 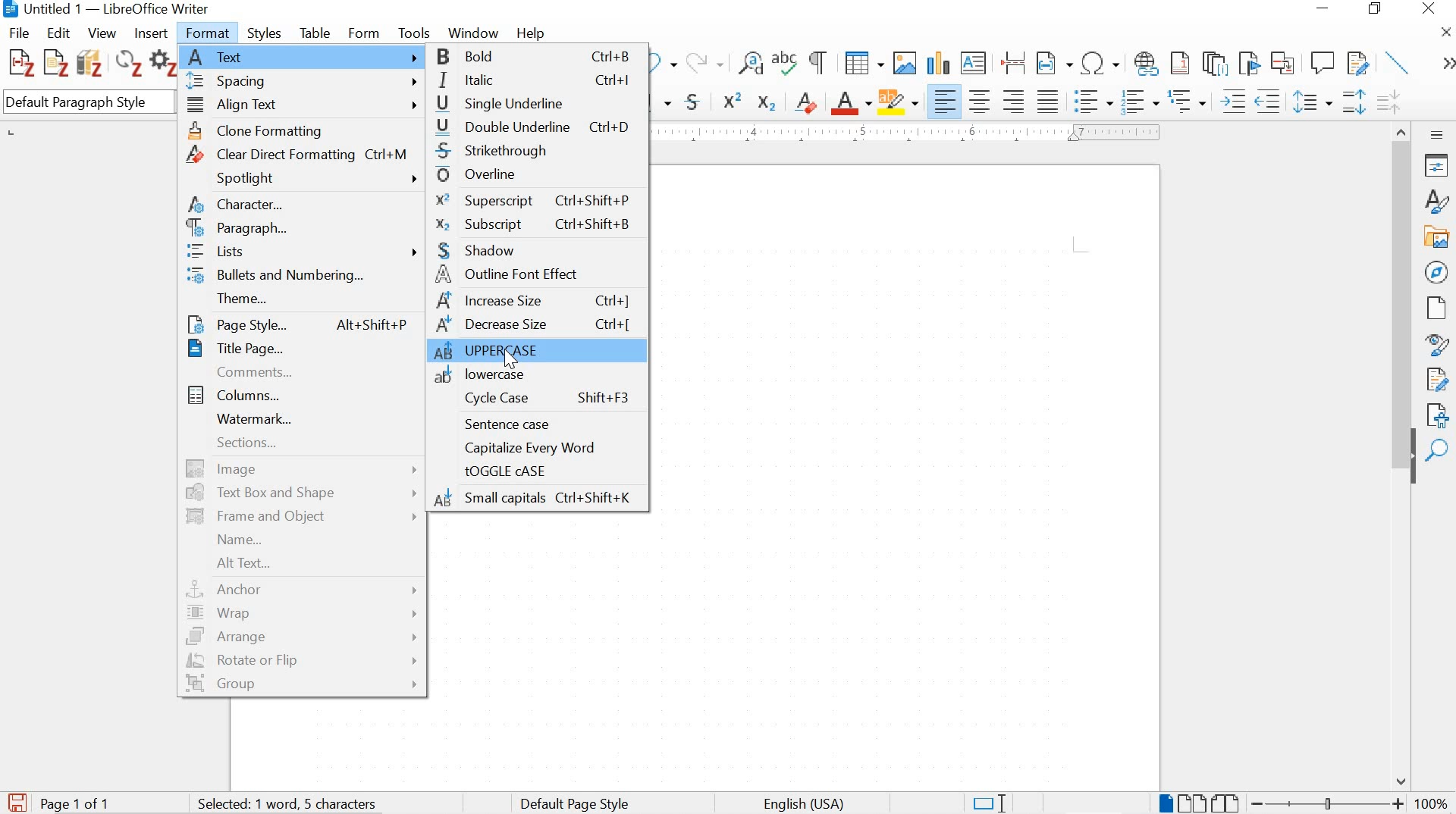 What do you see at coordinates (127, 65) in the screenshot?
I see `refresh` at bounding box center [127, 65].